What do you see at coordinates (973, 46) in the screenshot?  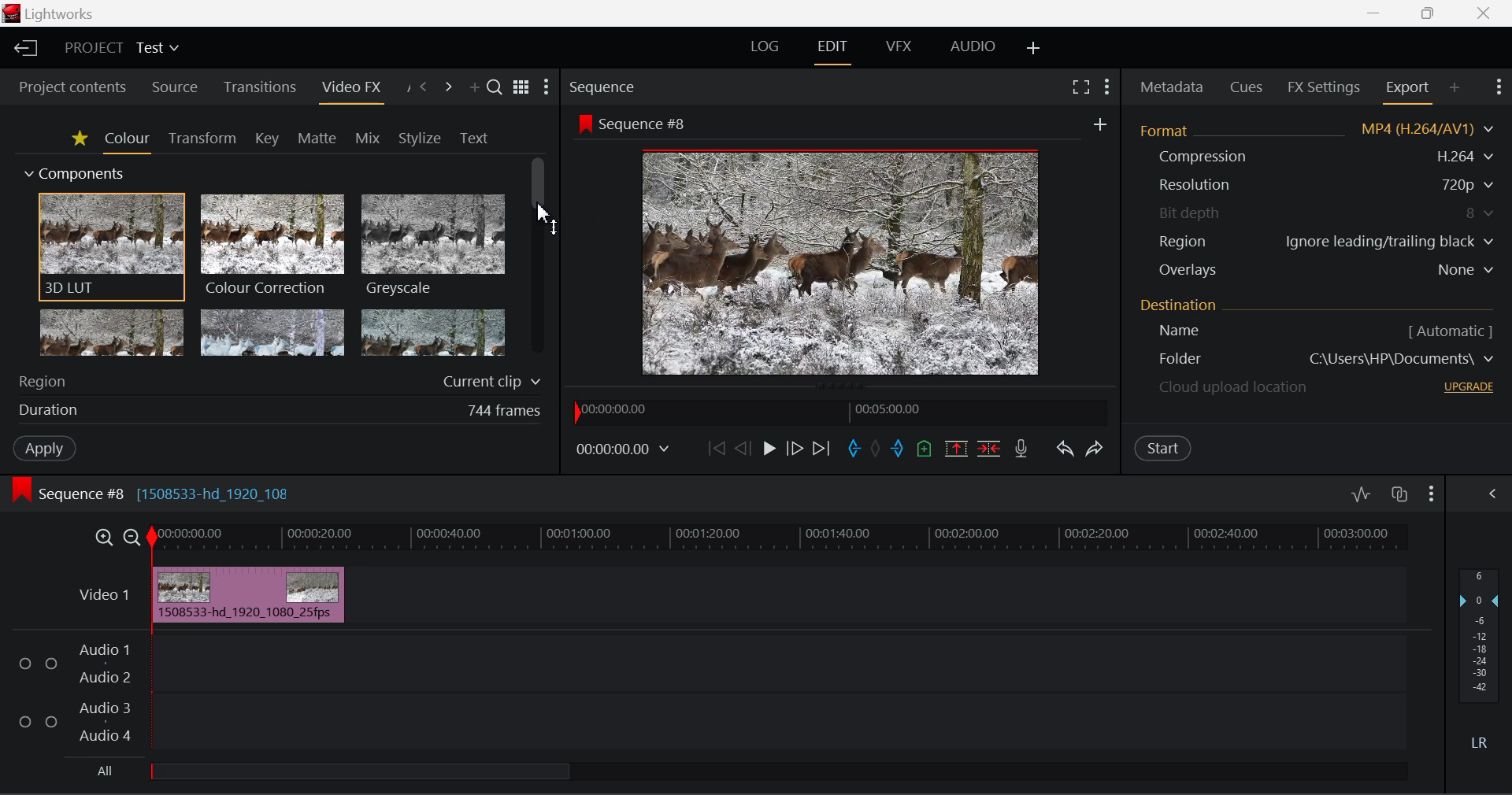 I see `AUDIO Layout` at bounding box center [973, 46].